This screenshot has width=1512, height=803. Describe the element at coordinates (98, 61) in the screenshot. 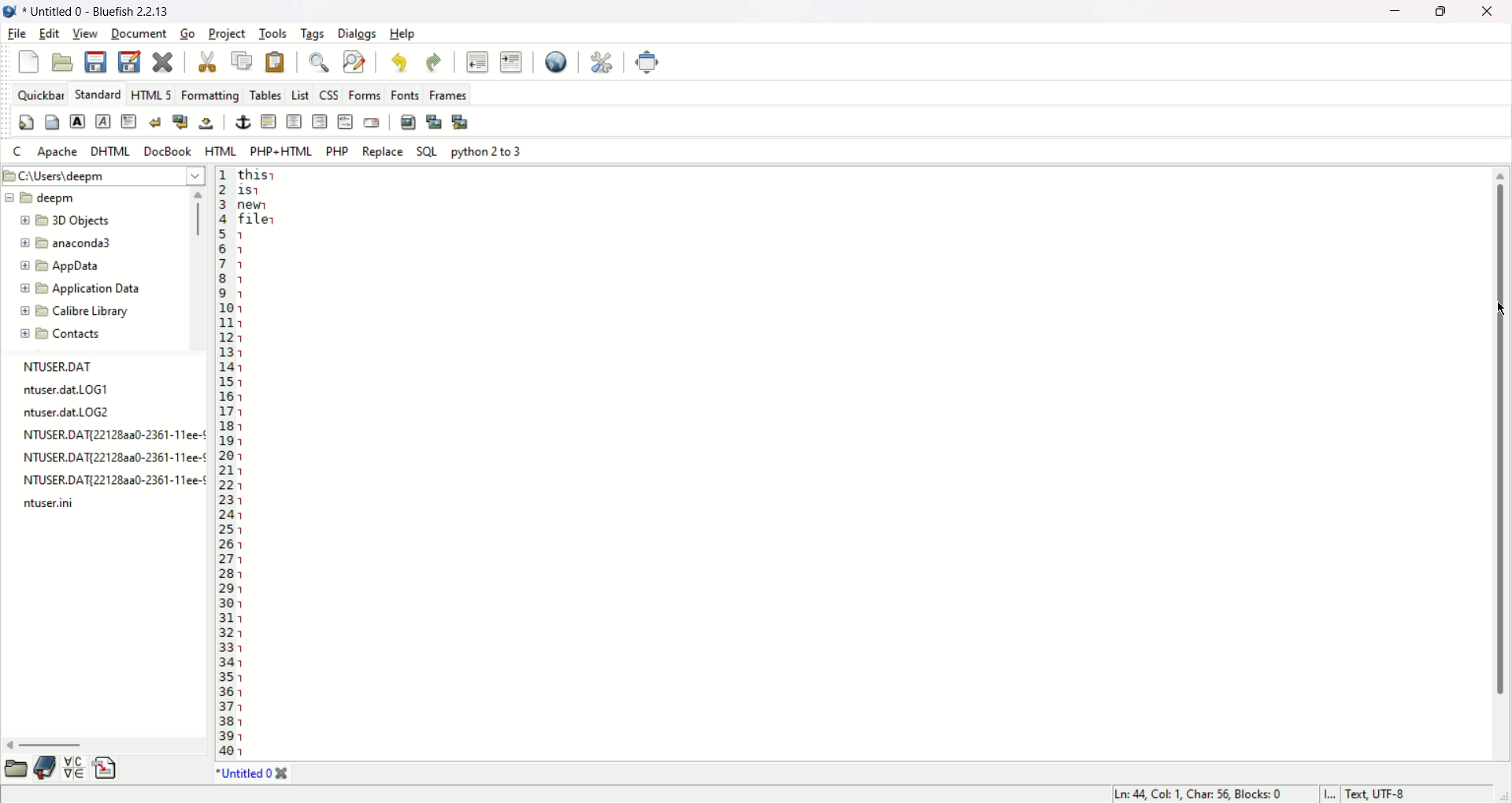

I see `save` at that location.